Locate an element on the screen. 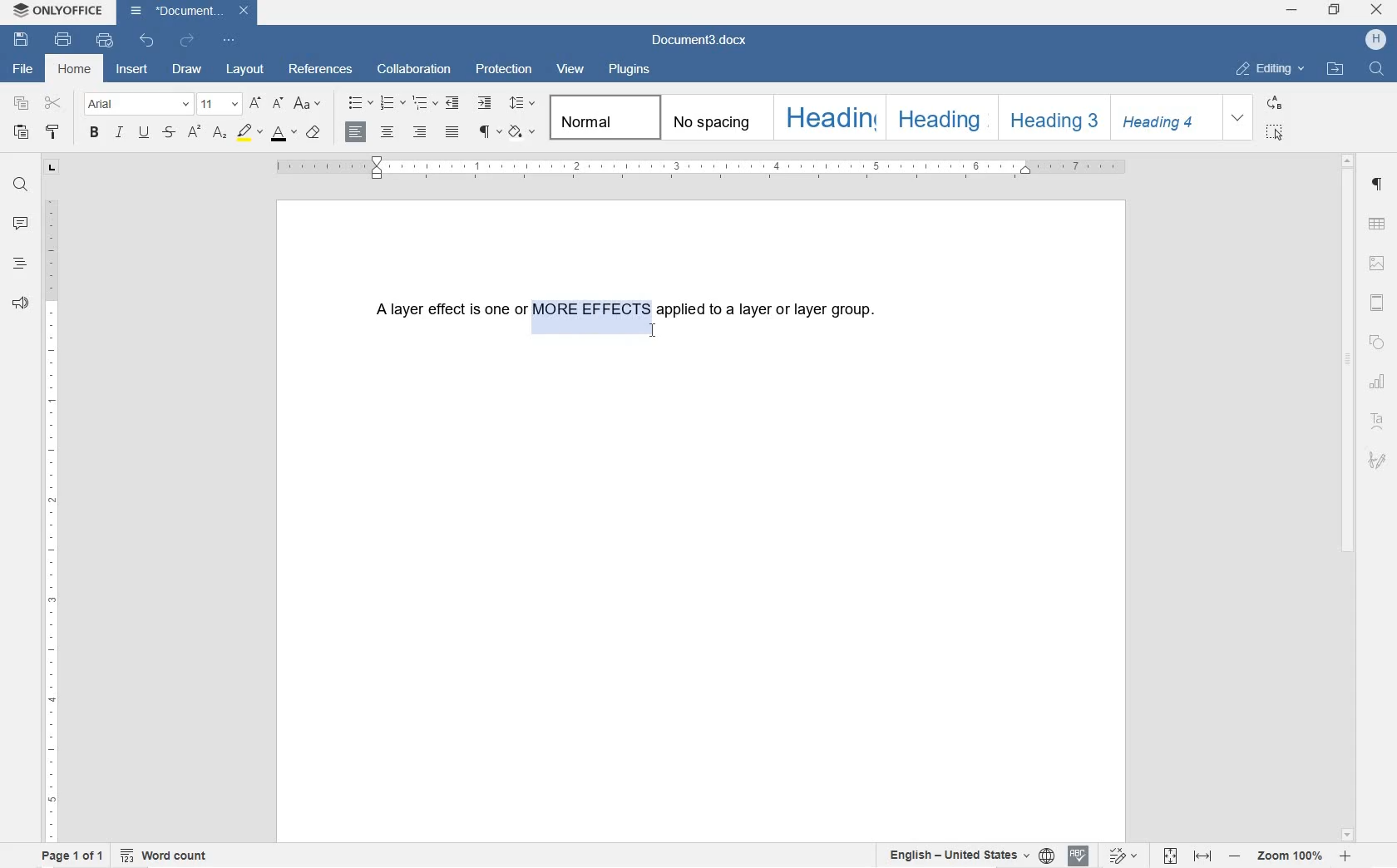 This screenshot has width=1397, height=868. UNDERLINE is located at coordinates (144, 133).